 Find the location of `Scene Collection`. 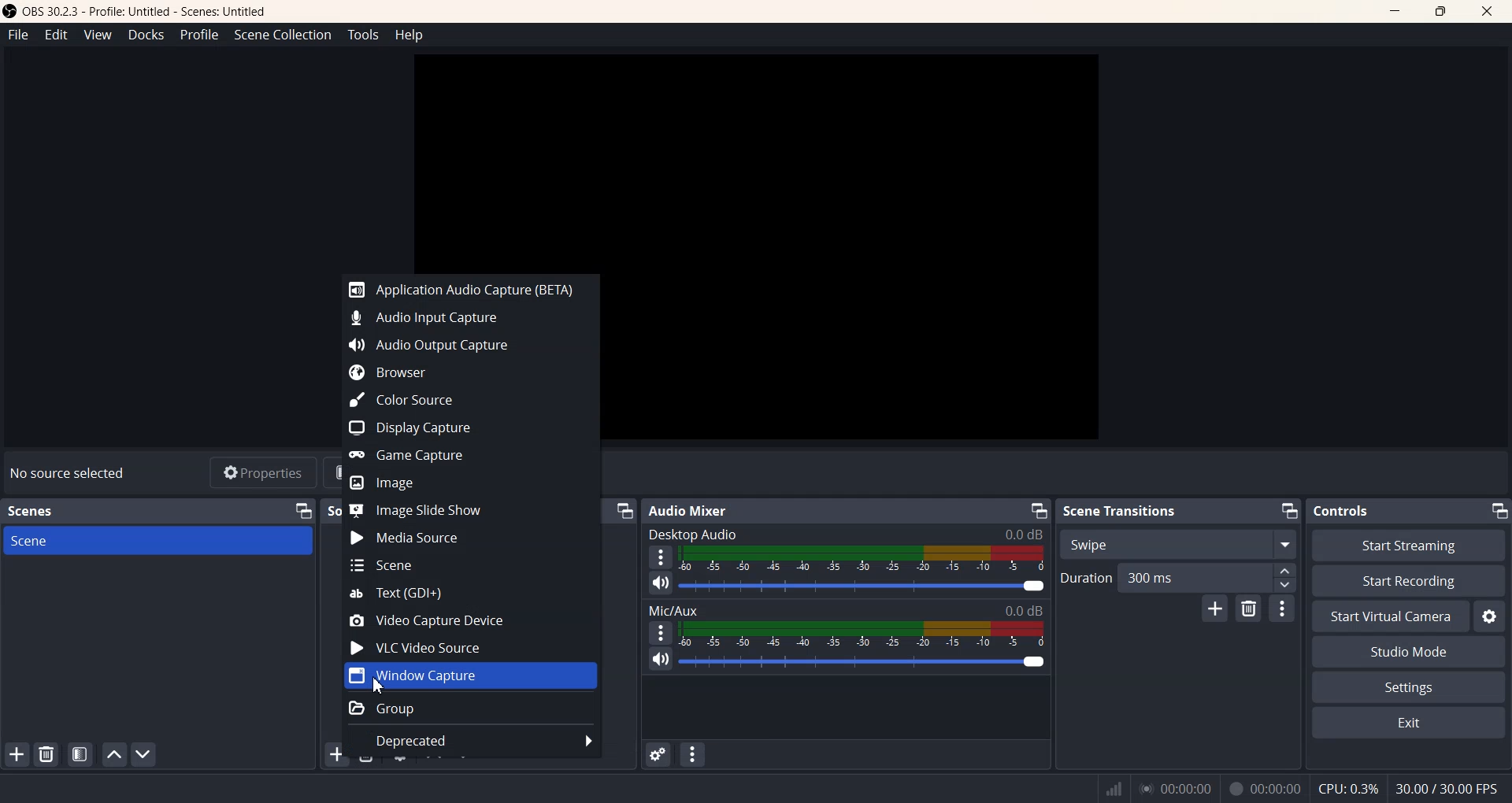

Scene Collection is located at coordinates (281, 35).